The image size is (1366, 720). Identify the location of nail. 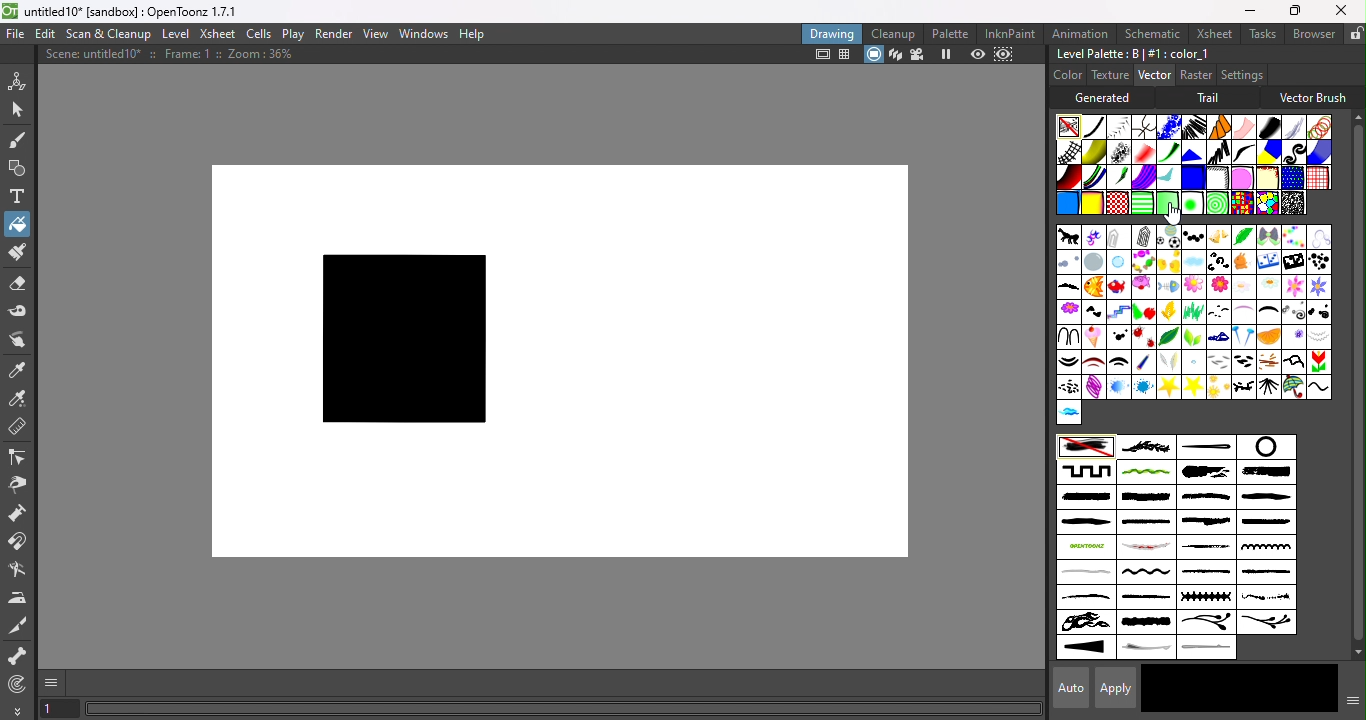
(1242, 338).